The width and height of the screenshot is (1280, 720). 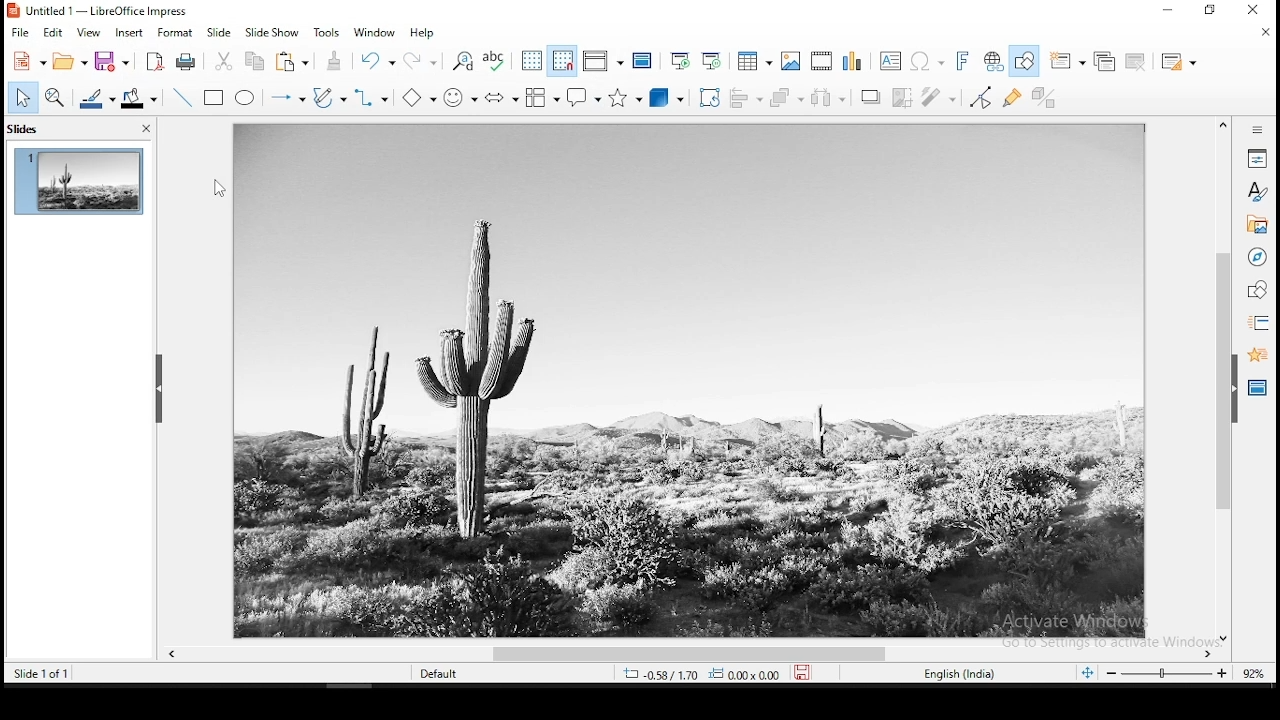 What do you see at coordinates (275, 32) in the screenshot?
I see `slide show` at bounding box center [275, 32].